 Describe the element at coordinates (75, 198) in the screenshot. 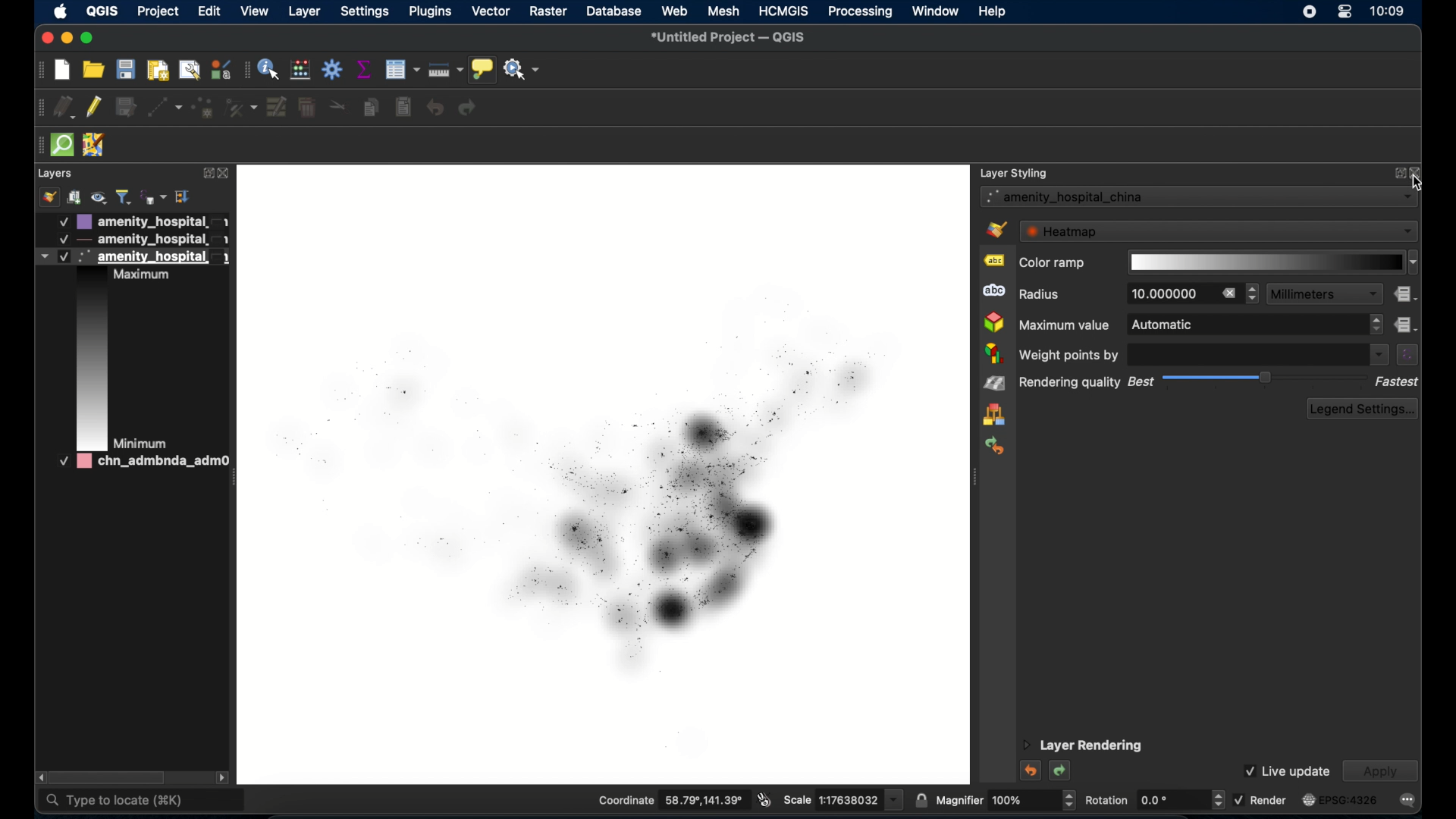

I see `add group` at that location.